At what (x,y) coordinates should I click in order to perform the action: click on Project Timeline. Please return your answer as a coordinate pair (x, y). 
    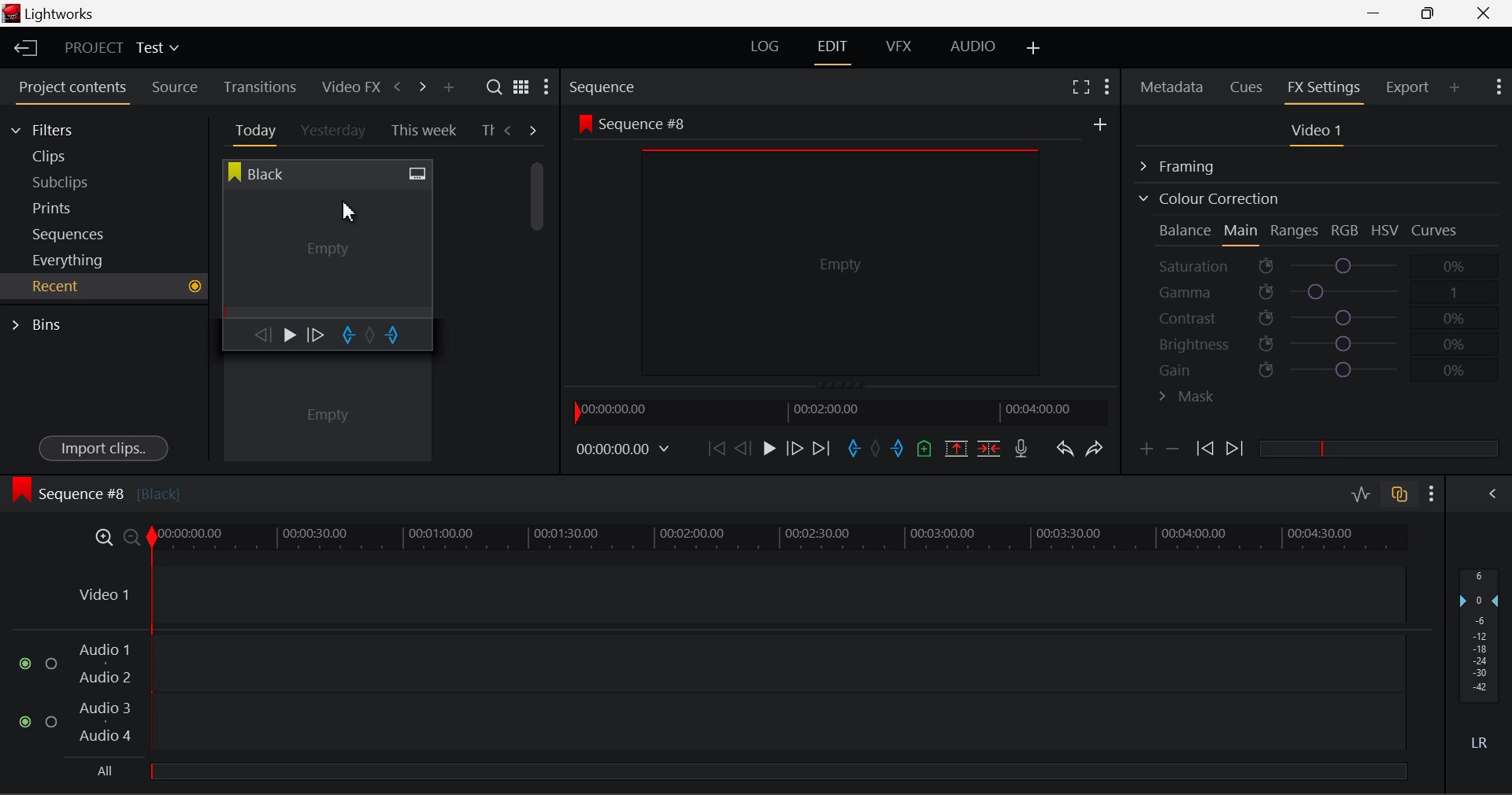
    Looking at the image, I should click on (780, 538).